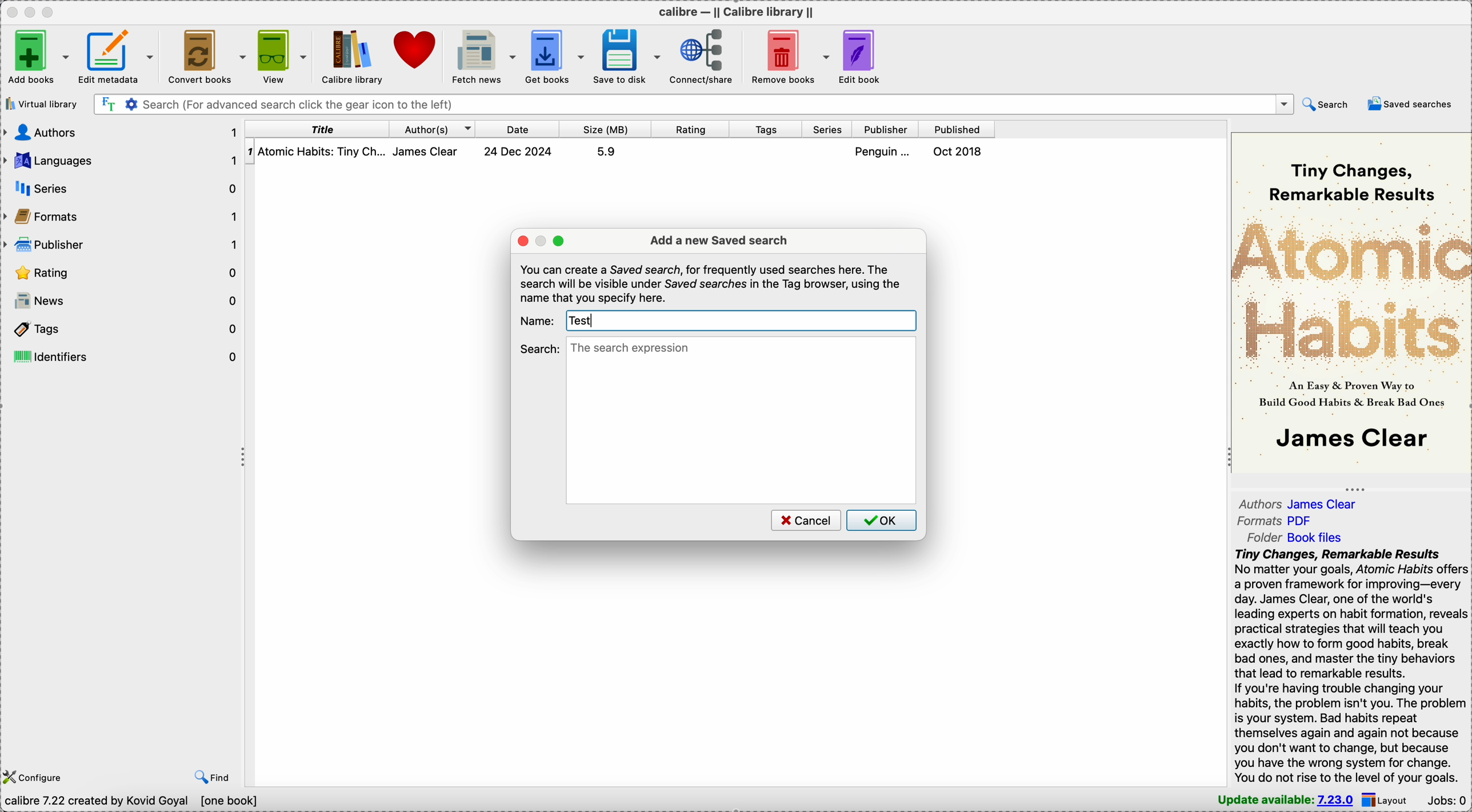 This screenshot has height=812, width=1472. Describe the element at coordinates (418, 52) in the screenshot. I see `donate` at that location.